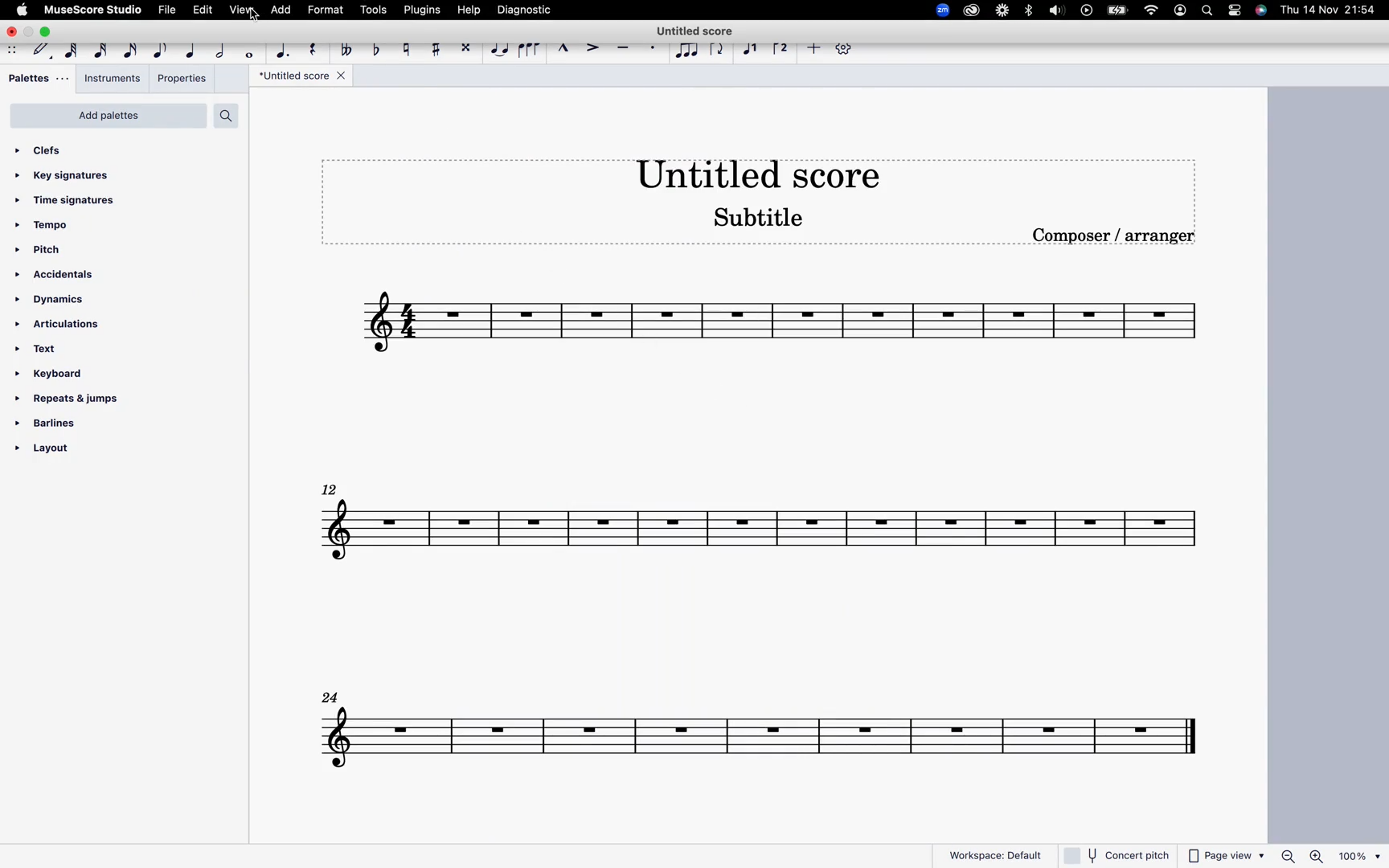 Image resolution: width=1389 pixels, height=868 pixels. What do you see at coordinates (1119, 237) in the screenshot?
I see `composer / arranger` at bounding box center [1119, 237].